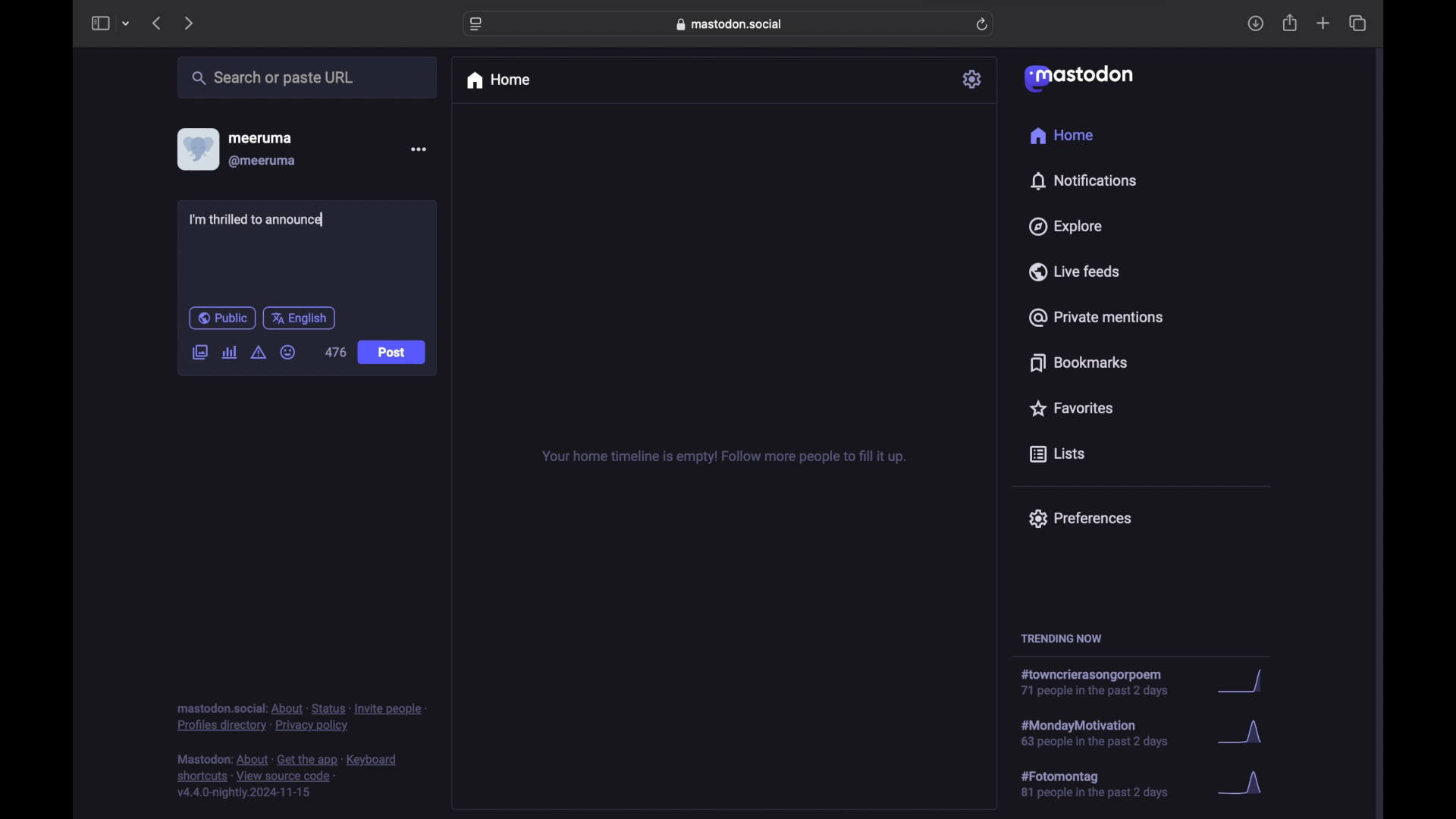  Describe the element at coordinates (188, 24) in the screenshot. I see `next` at that location.